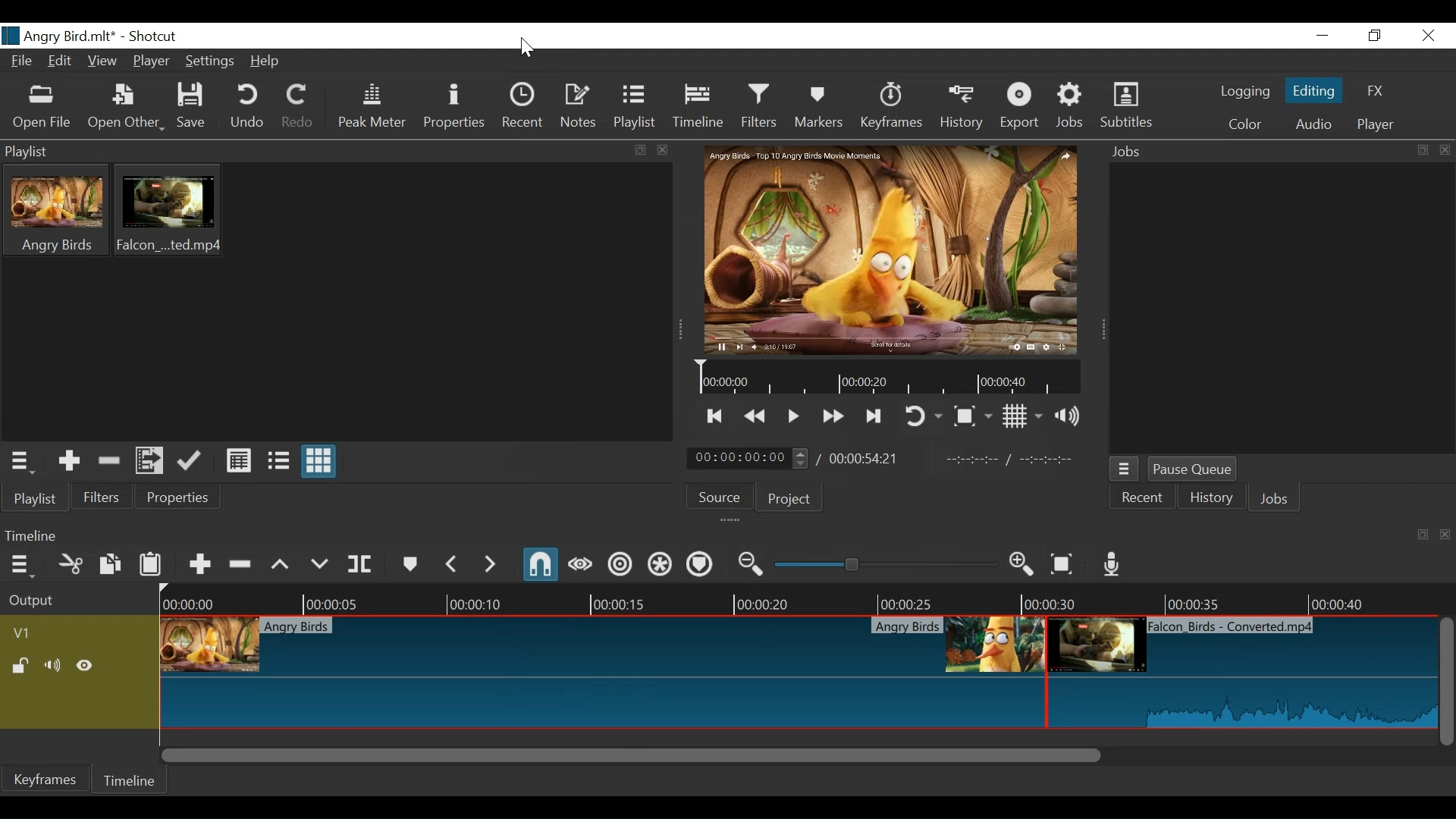  What do you see at coordinates (1276, 499) in the screenshot?
I see `Jobs` at bounding box center [1276, 499].